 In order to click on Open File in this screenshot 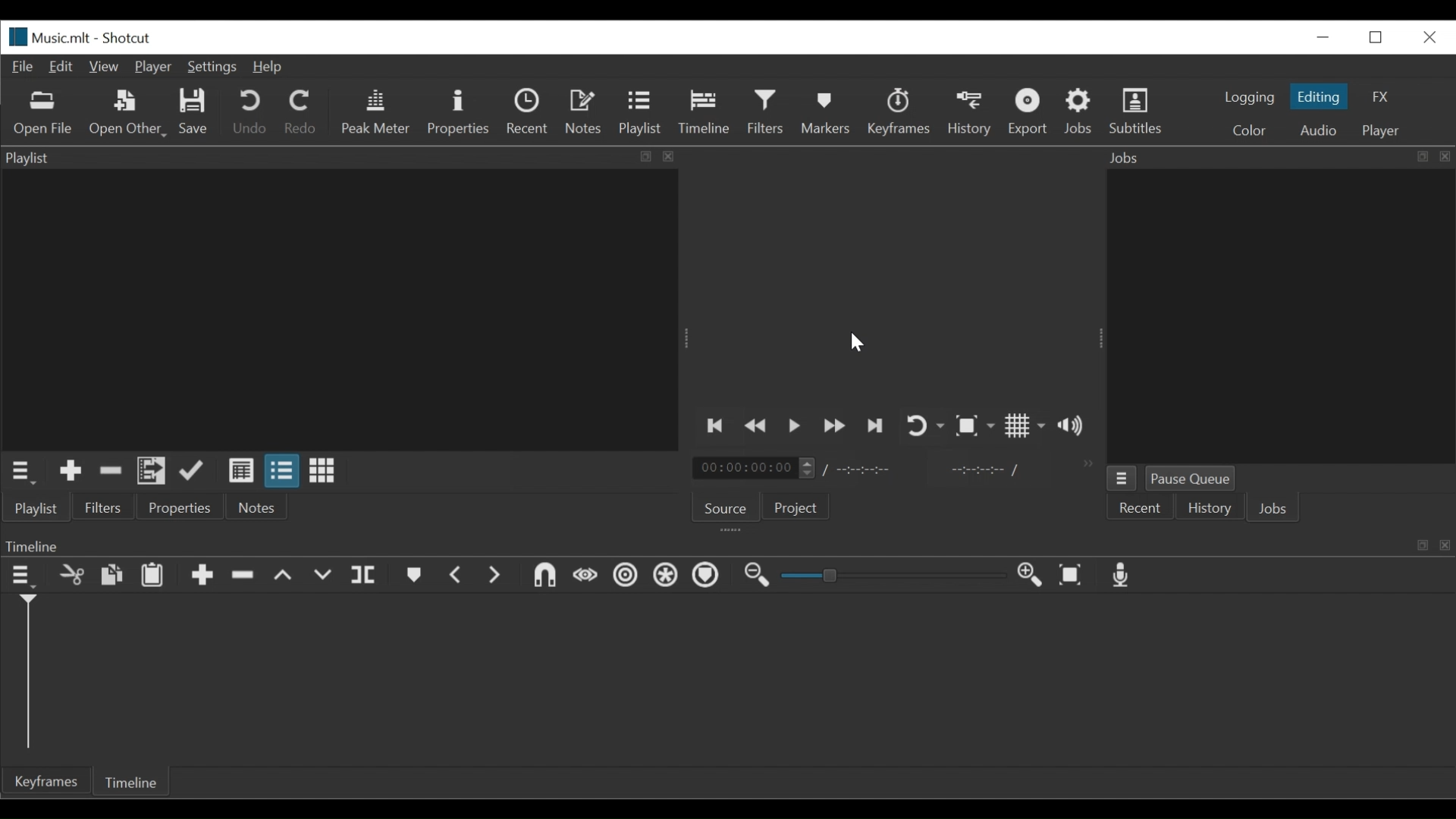, I will do `click(42, 114)`.